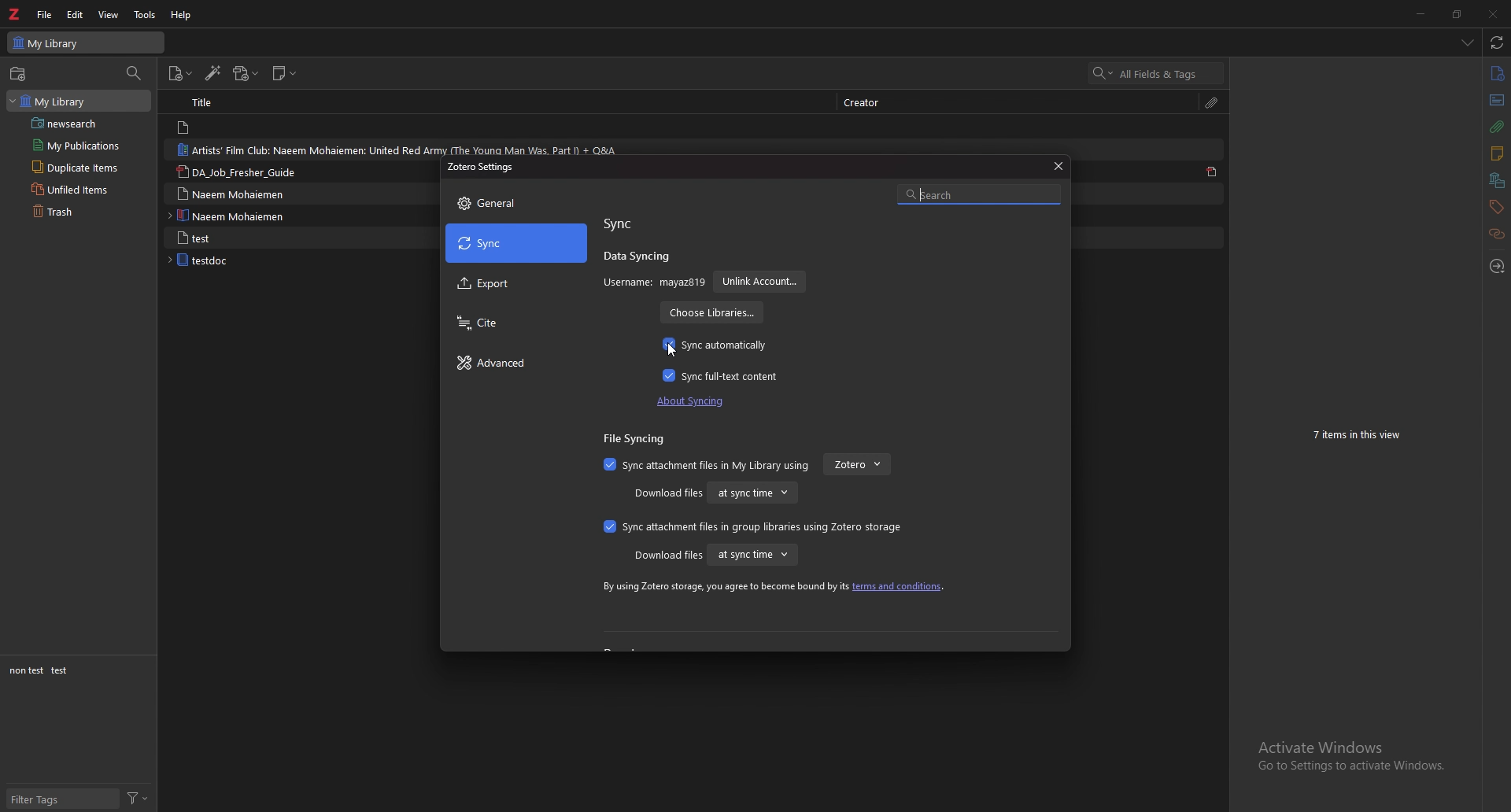  I want to click on my library, so click(79, 101).